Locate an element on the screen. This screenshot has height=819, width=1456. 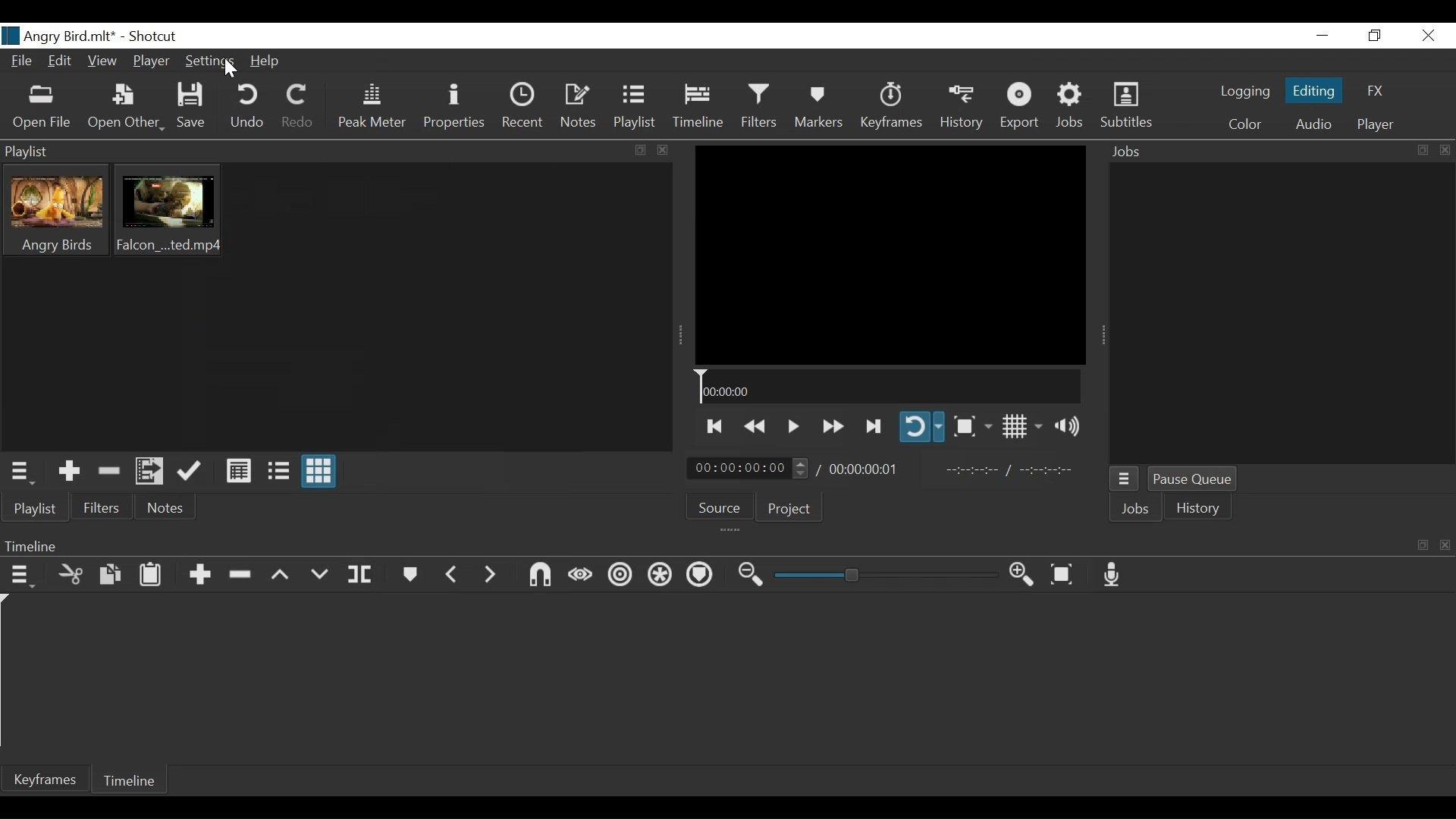
Jobs Panel is located at coordinates (1280, 149).